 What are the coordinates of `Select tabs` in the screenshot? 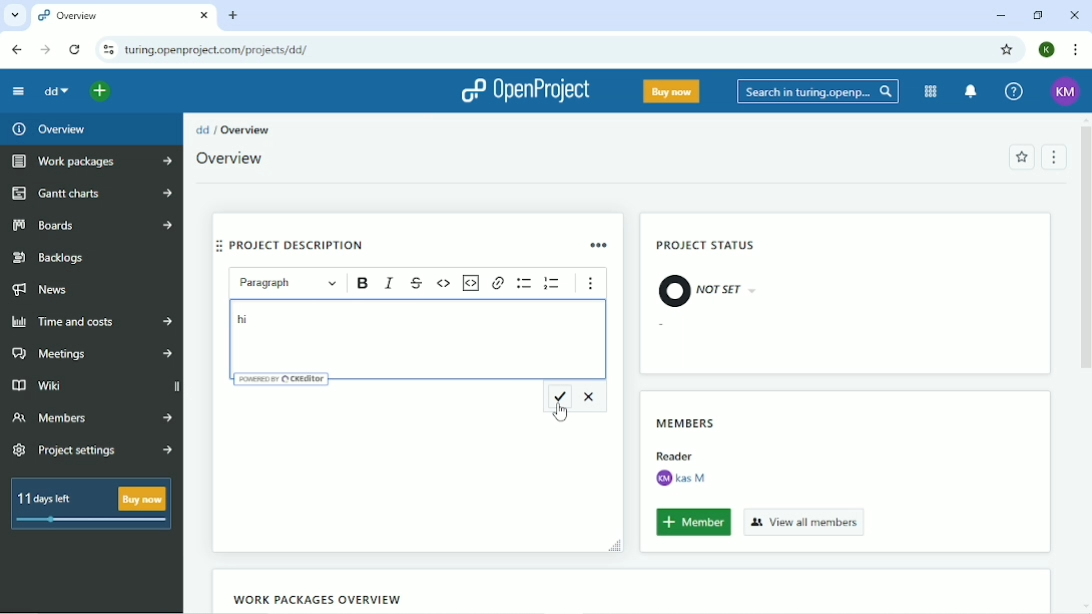 It's located at (14, 15).